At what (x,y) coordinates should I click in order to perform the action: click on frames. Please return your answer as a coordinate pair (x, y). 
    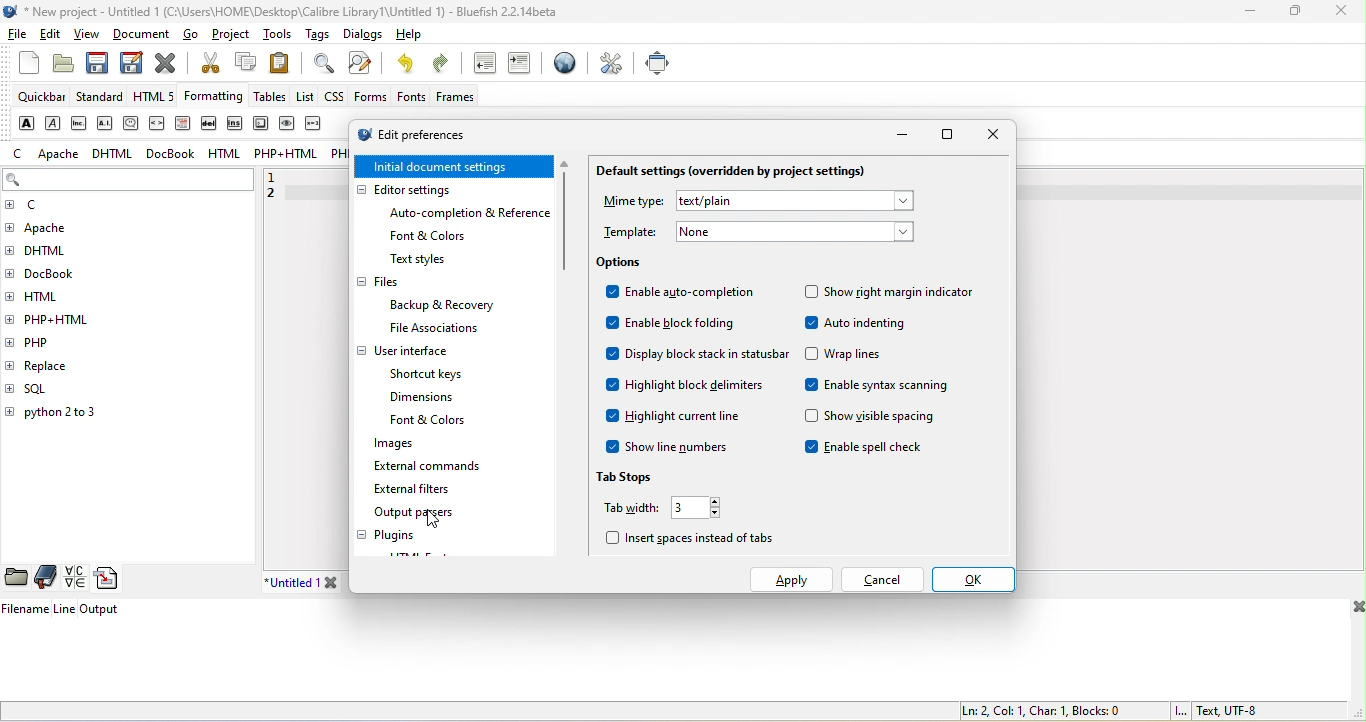
    Looking at the image, I should click on (456, 98).